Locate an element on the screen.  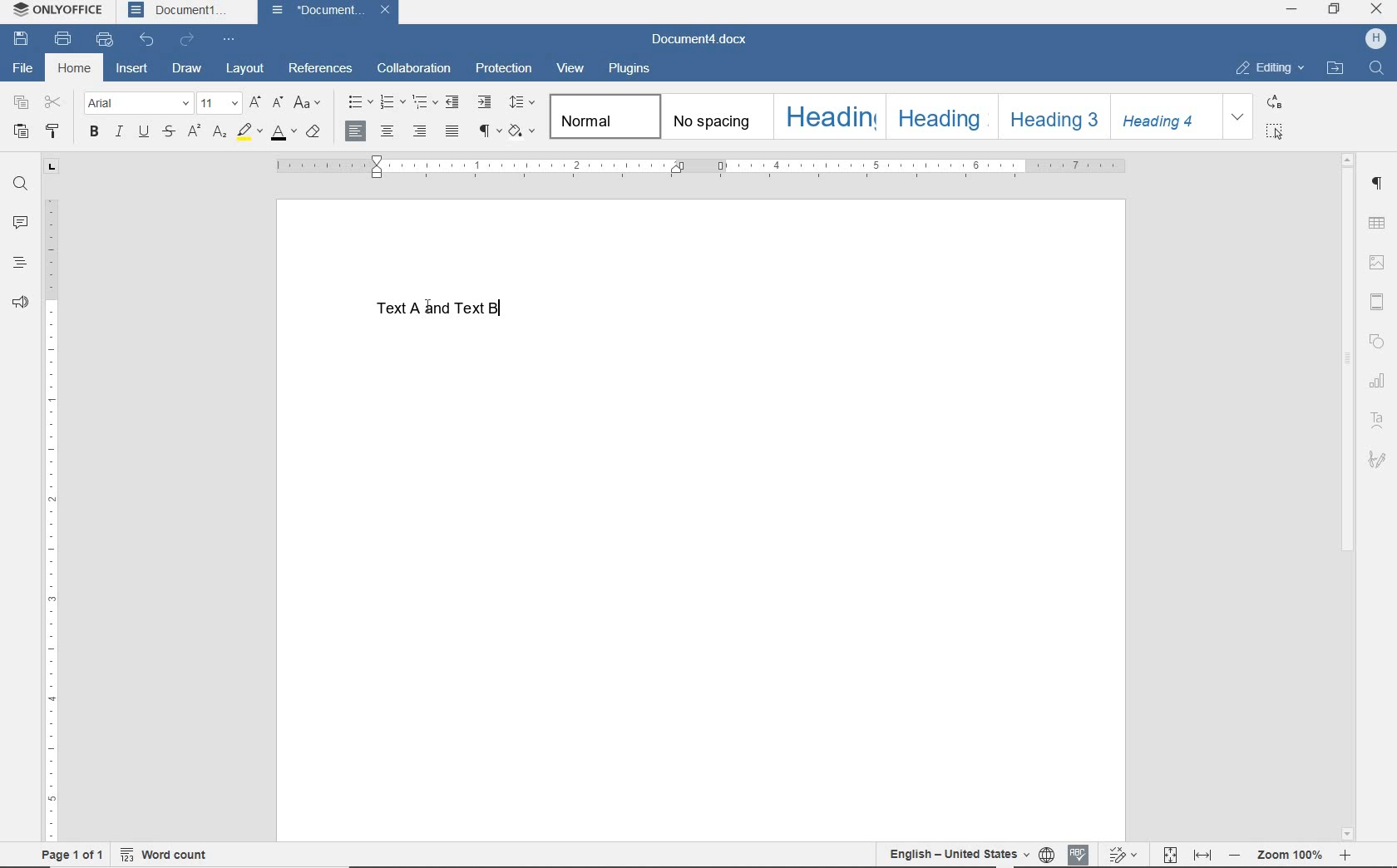
LAYOUT is located at coordinates (246, 69).